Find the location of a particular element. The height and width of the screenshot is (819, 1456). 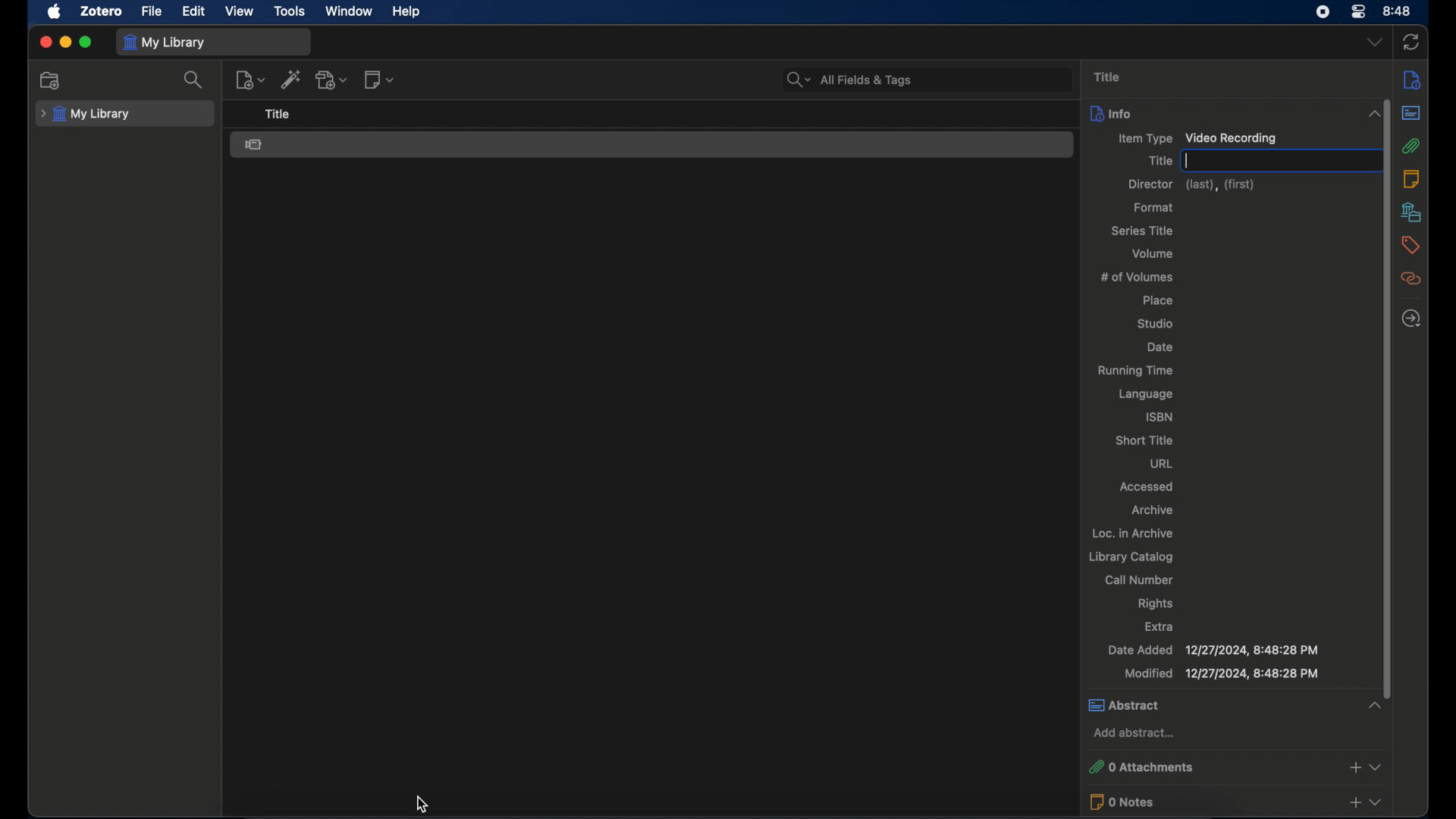

accessed is located at coordinates (1148, 486).